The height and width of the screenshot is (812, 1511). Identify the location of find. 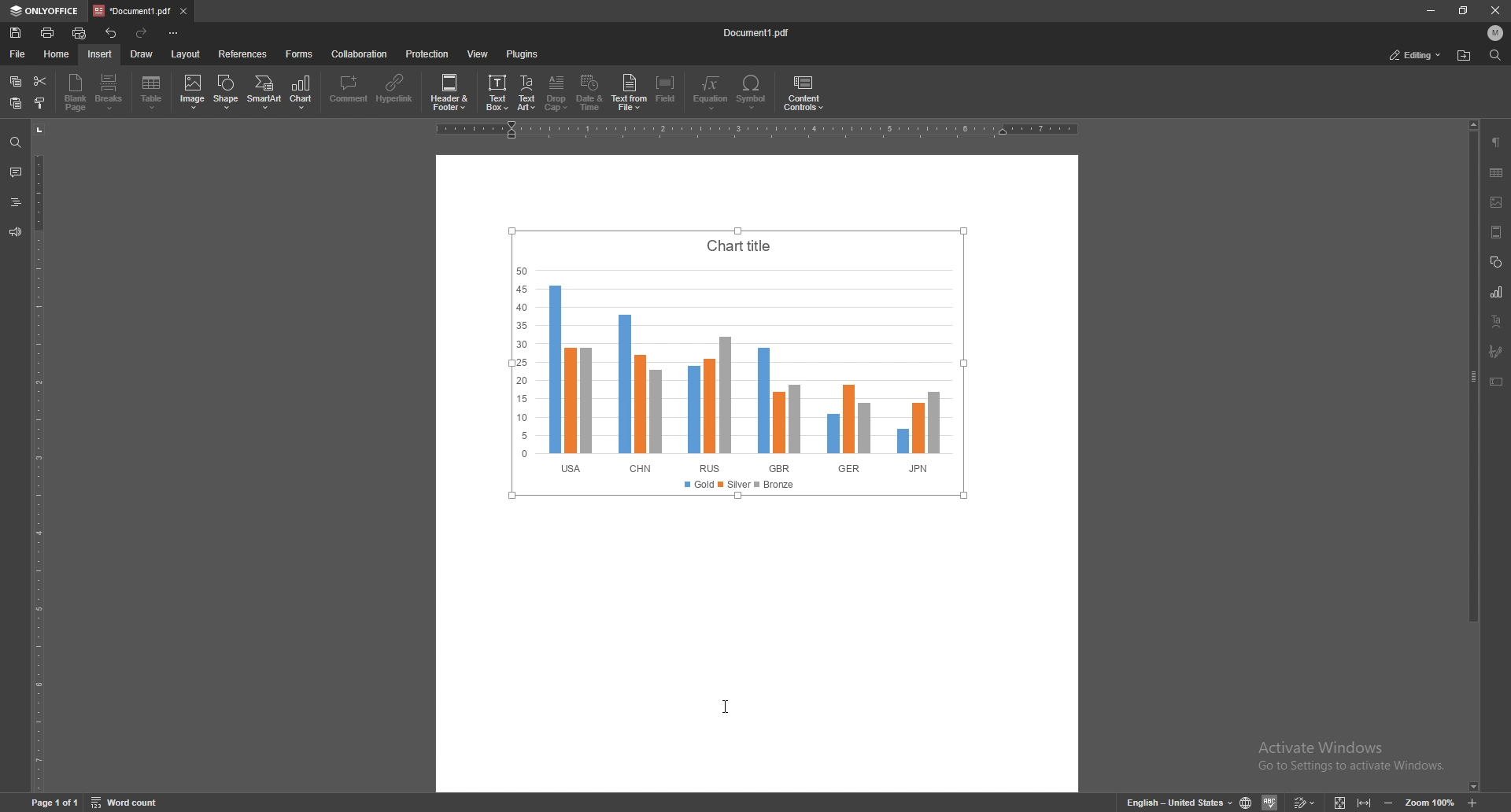
(16, 142).